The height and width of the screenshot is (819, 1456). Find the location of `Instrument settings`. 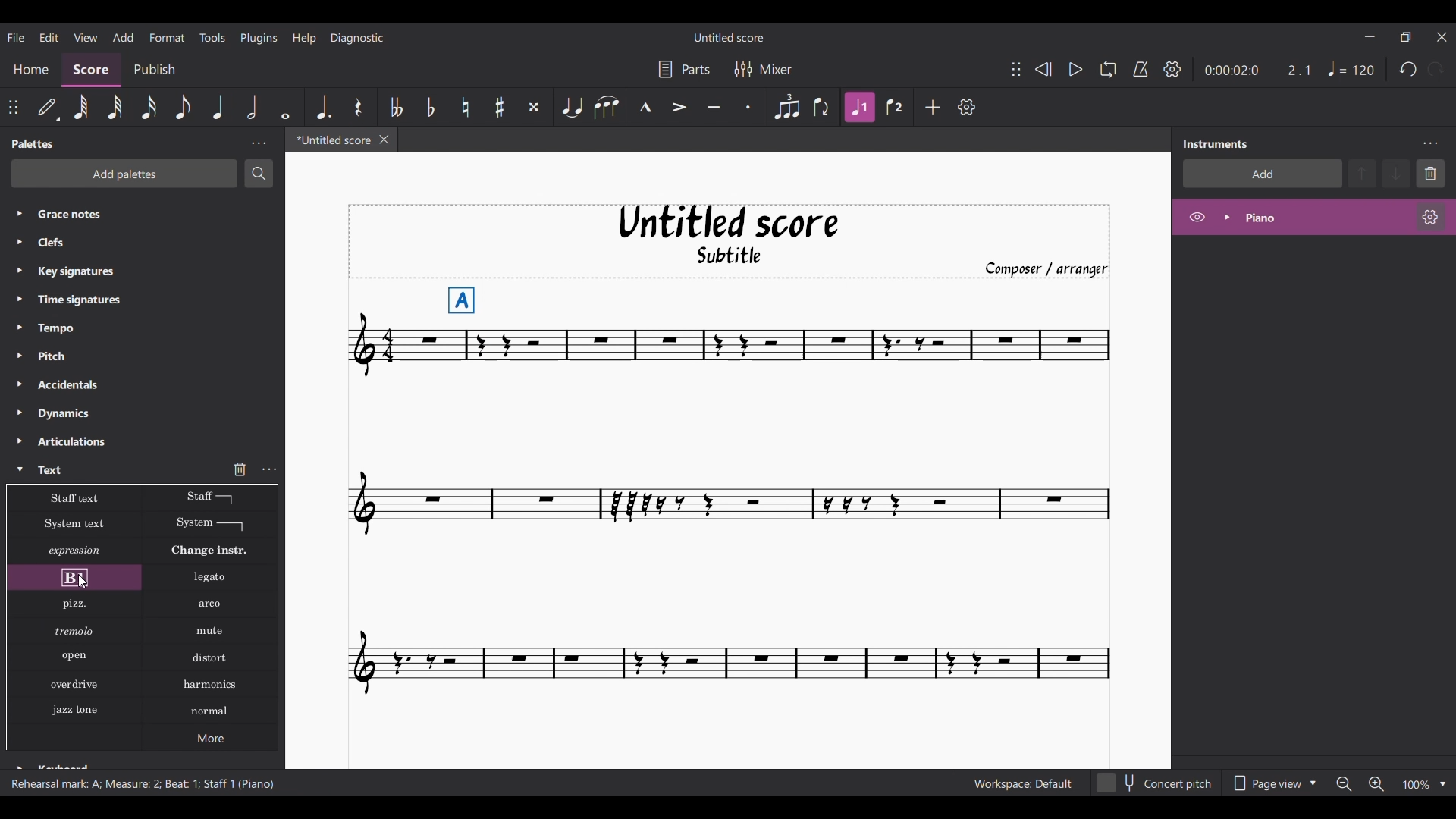

Instrument settings is located at coordinates (1429, 143).